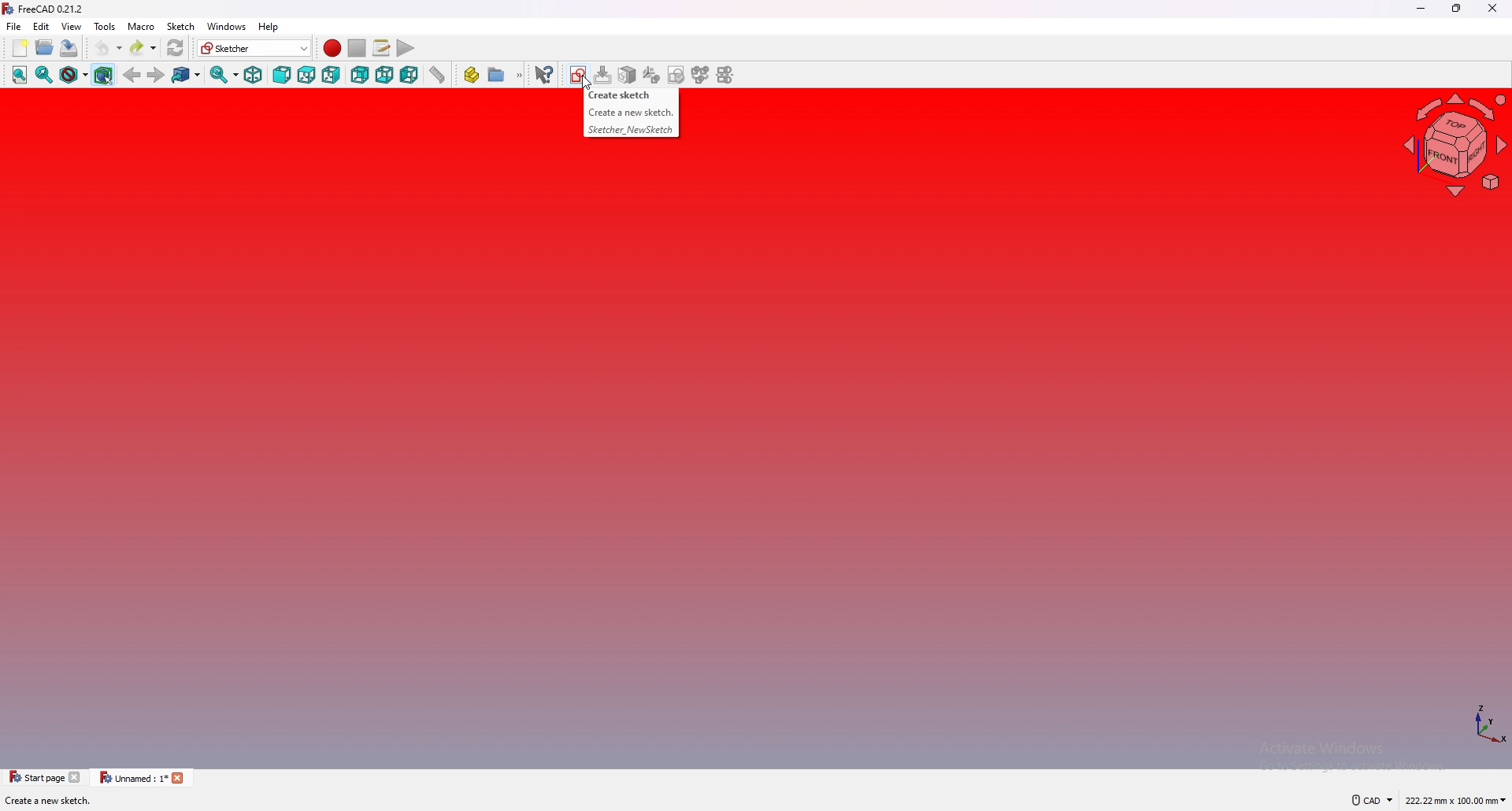 The image size is (1512, 811). Describe the element at coordinates (631, 113) in the screenshot. I see `Create a new sketch` at that location.